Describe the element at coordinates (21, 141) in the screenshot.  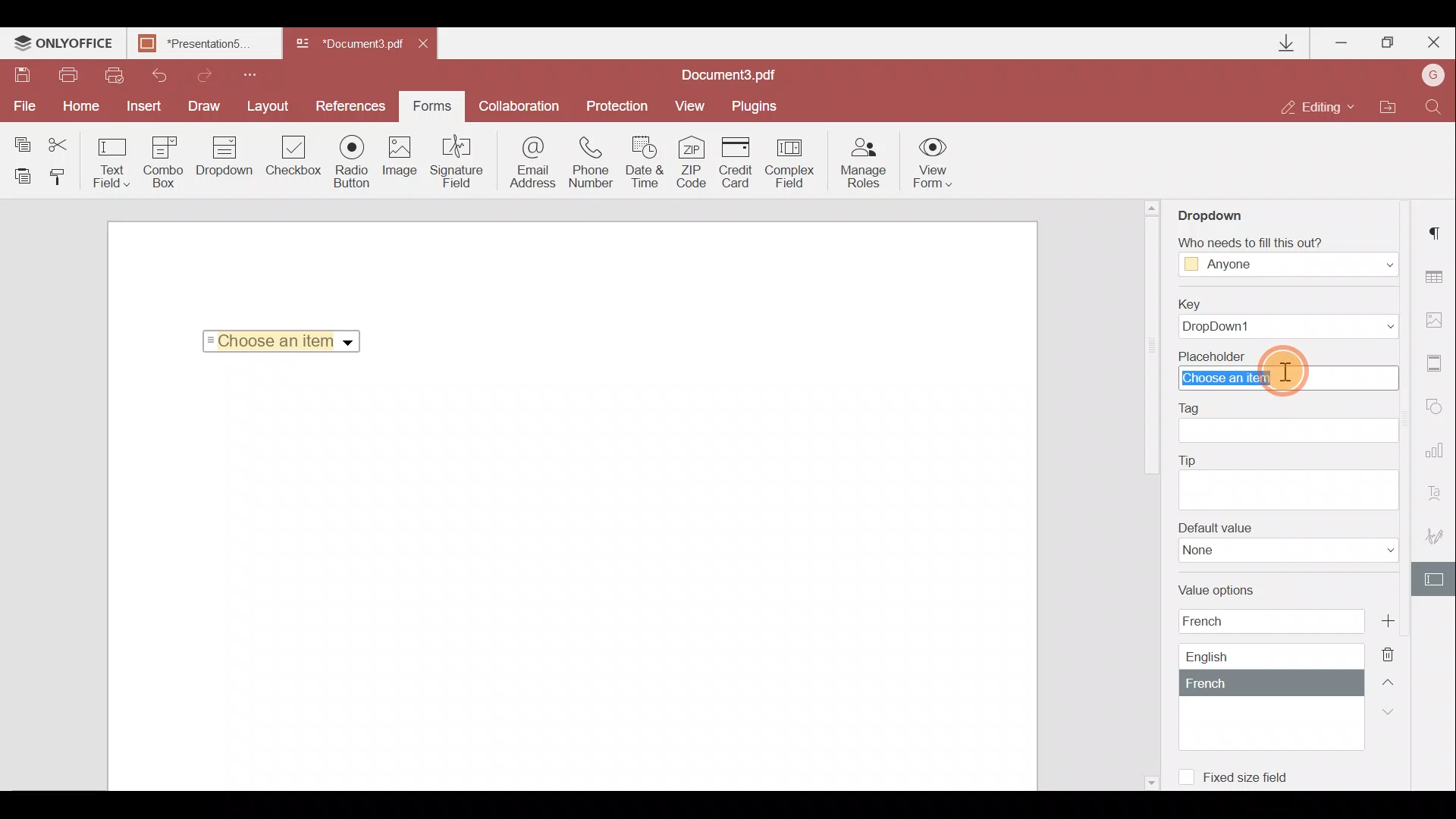
I see `Copy` at that location.